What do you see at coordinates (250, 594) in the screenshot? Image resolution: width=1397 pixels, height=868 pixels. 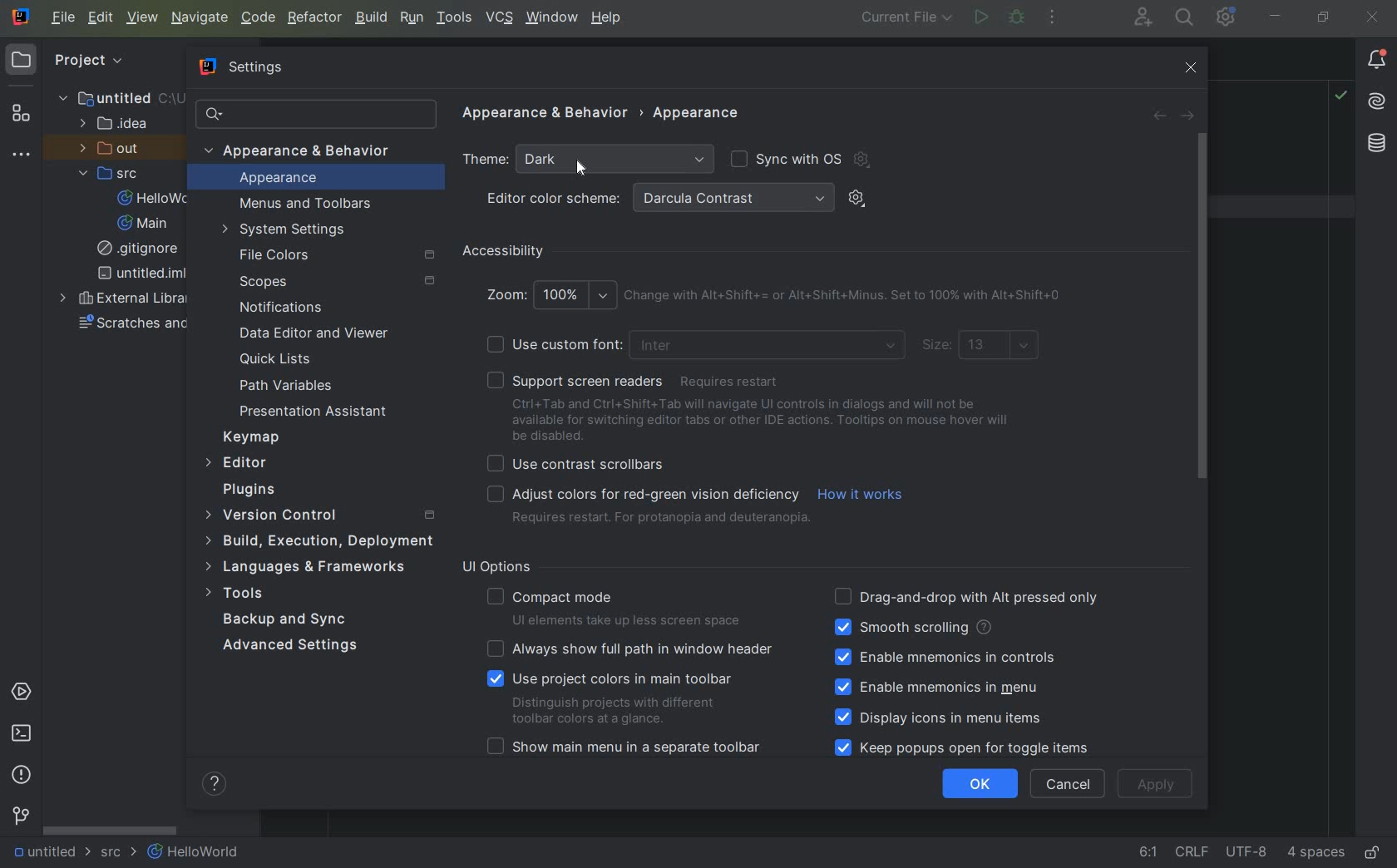 I see `TOOLS` at bounding box center [250, 594].